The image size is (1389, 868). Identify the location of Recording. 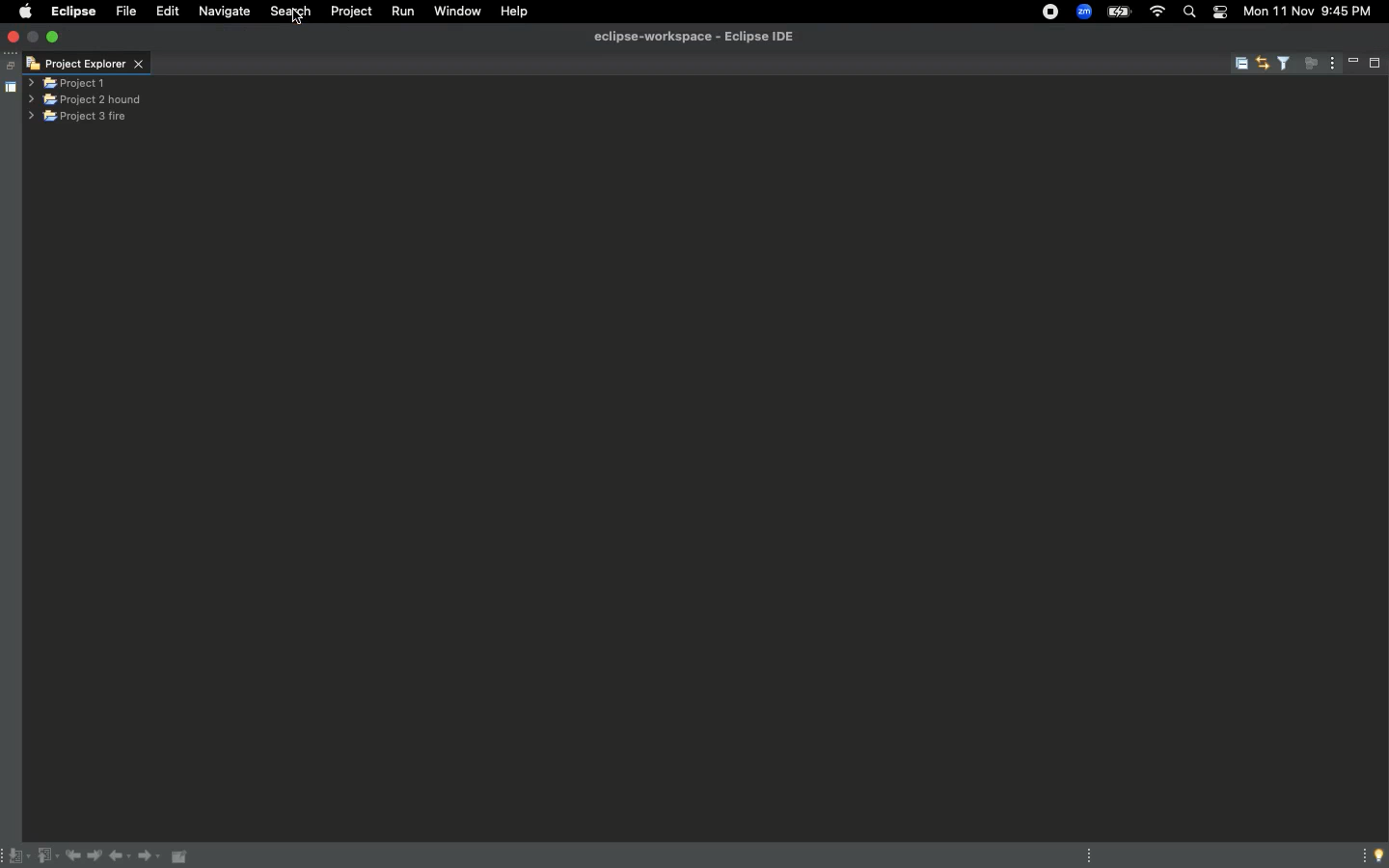
(1049, 14).